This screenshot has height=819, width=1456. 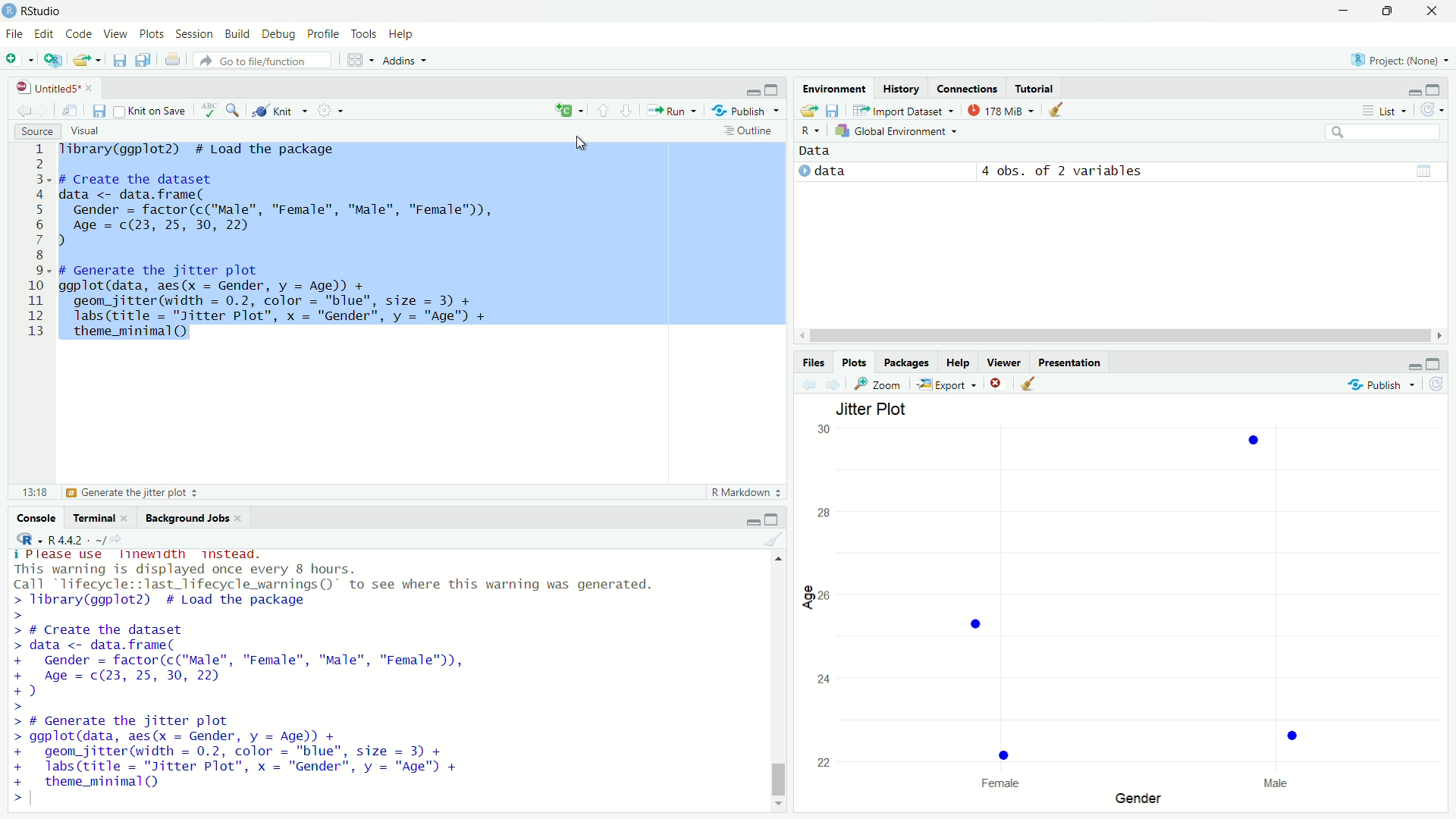 What do you see at coordinates (48, 11) in the screenshot?
I see `RStudio` at bounding box center [48, 11].